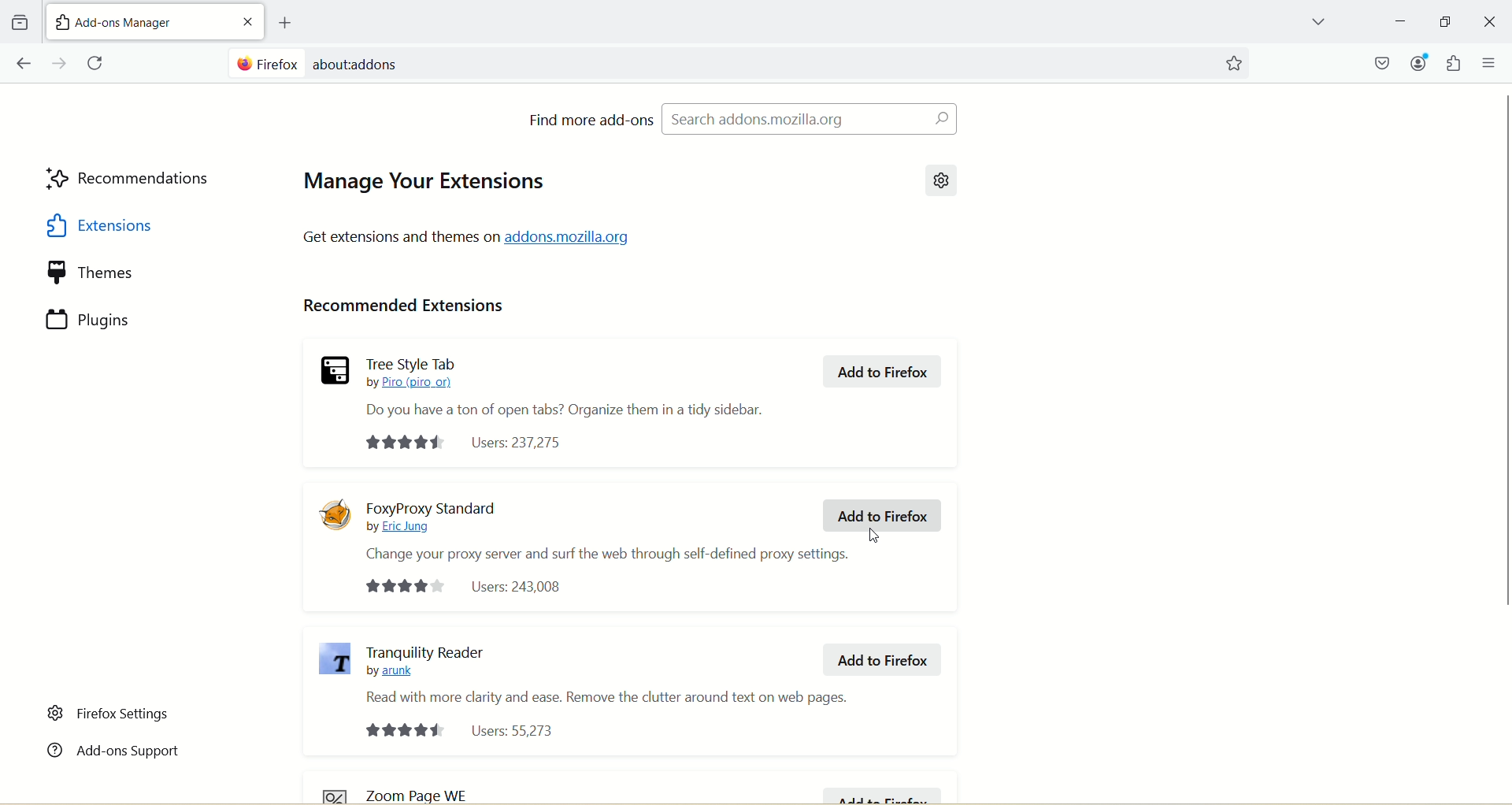 The height and width of the screenshot is (805, 1512). I want to click on Users: 243,008, so click(464, 585).